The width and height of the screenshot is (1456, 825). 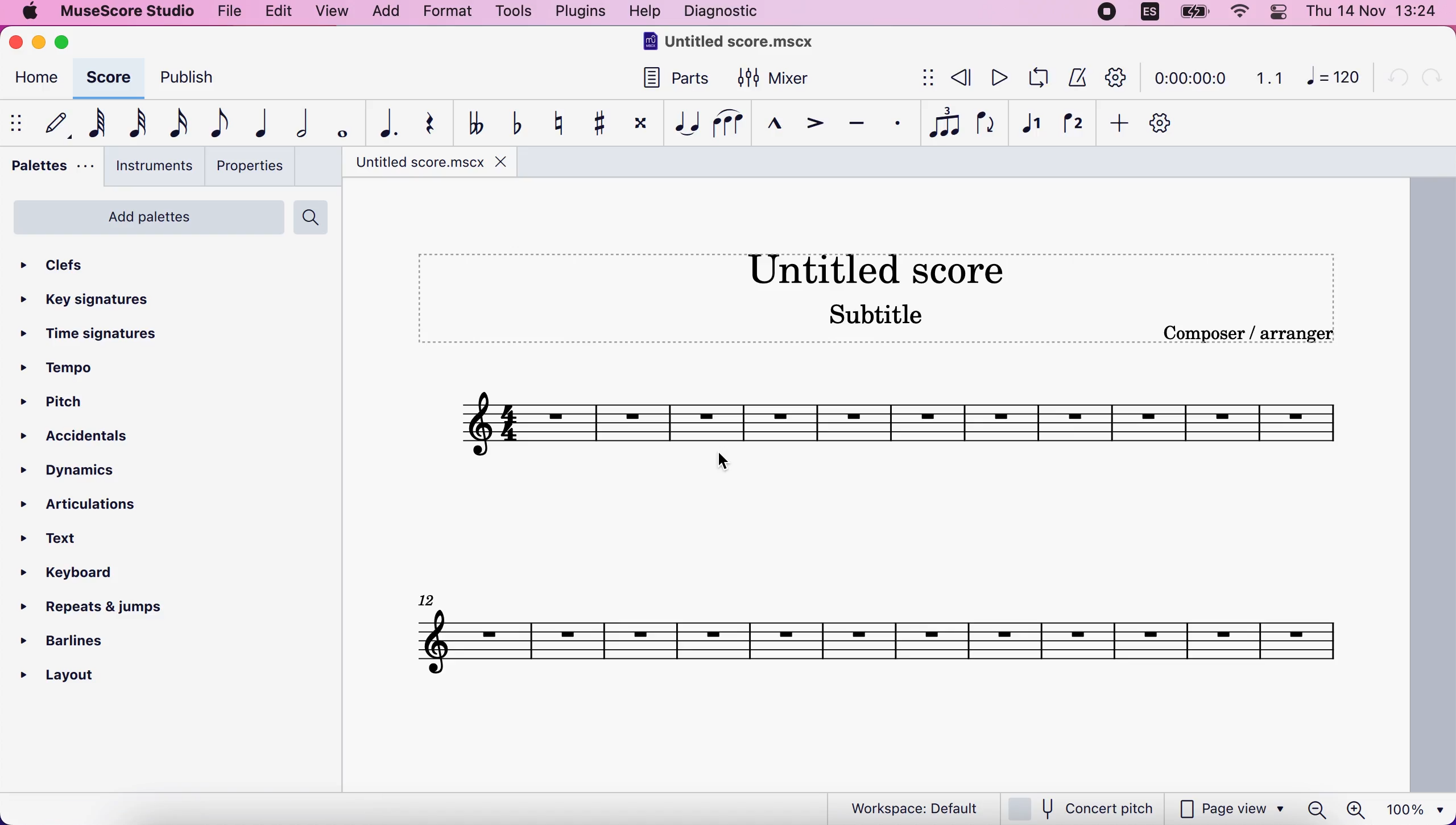 What do you see at coordinates (194, 79) in the screenshot?
I see `publish` at bounding box center [194, 79].